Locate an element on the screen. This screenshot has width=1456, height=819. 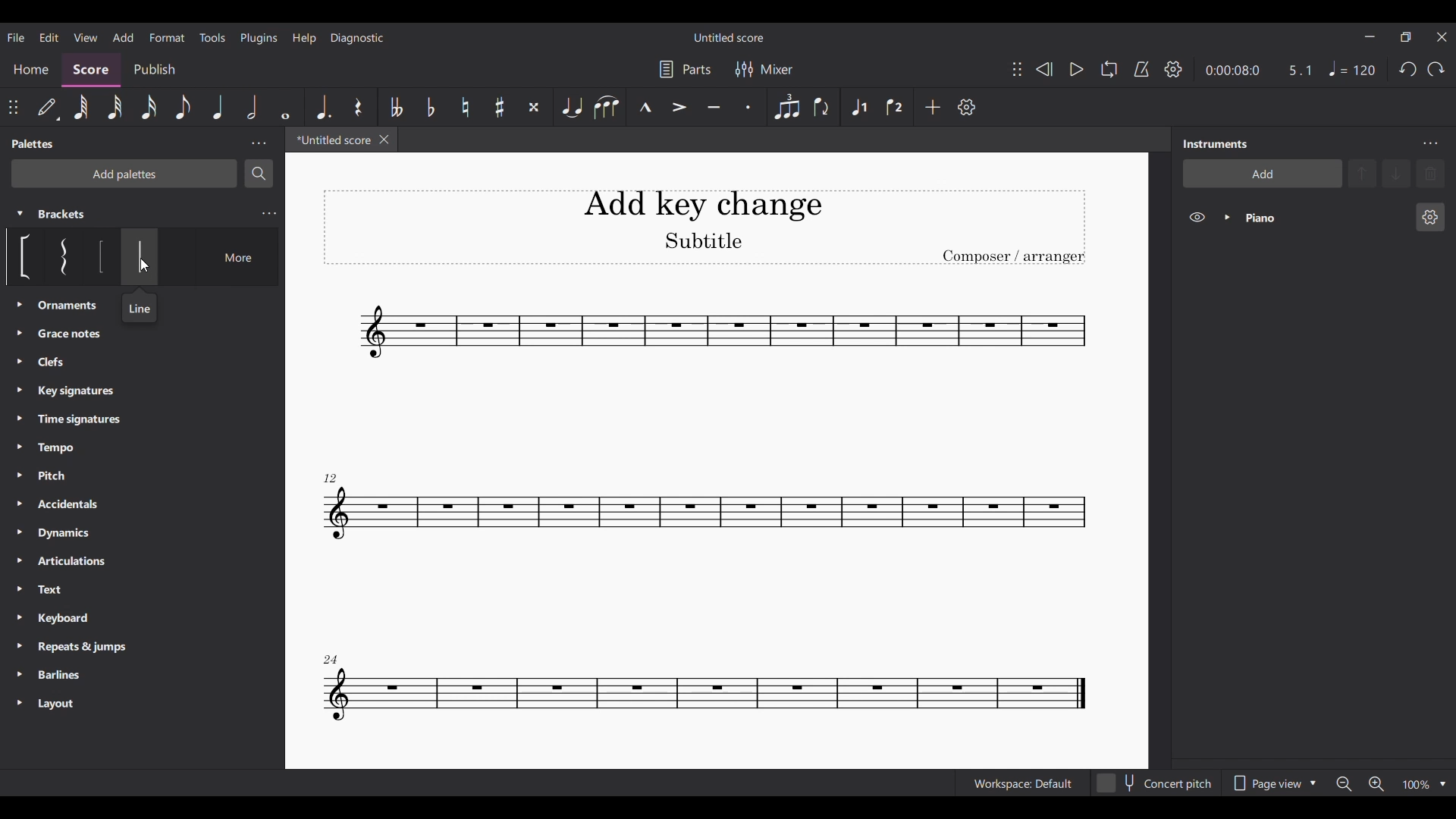
Tools menu is located at coordinates (212, 38).